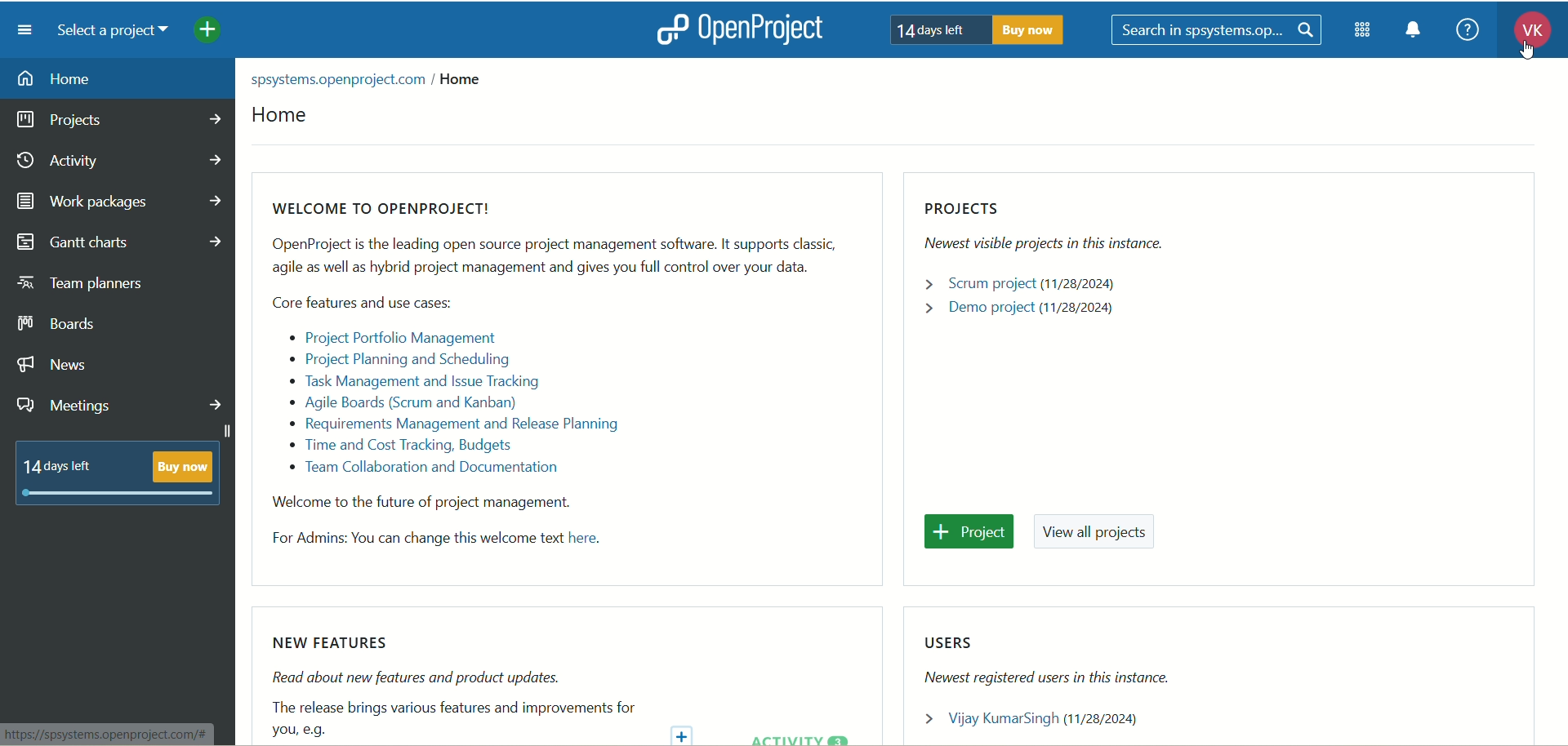 This screenshot has height=746, width=1568. I want to click on gantt charts, so click(126, 242).